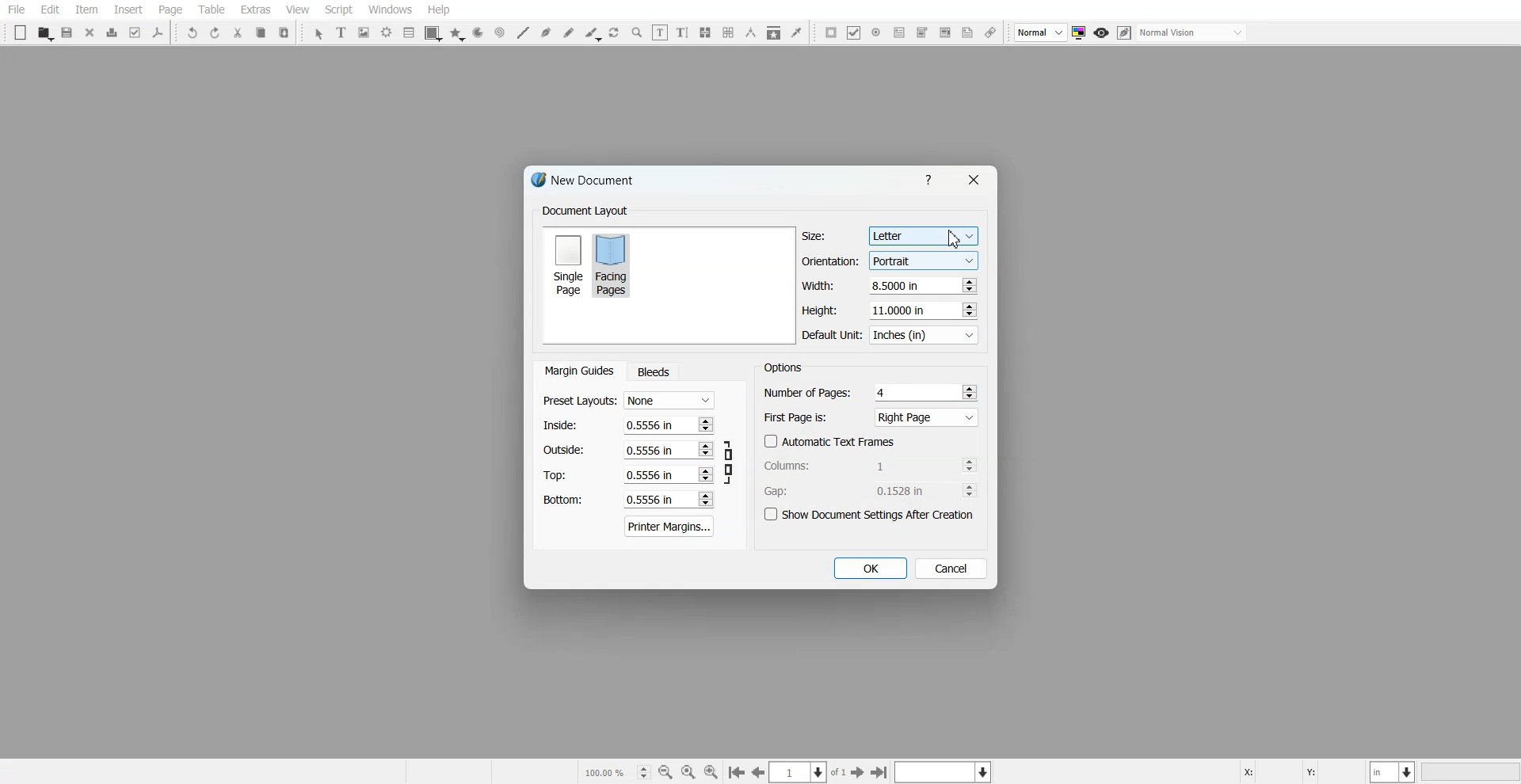 This screenshot has width=1521, height=784. What do you see at coordinates (871, 465) in the screenshot?
I see `Column adjuster` at bounding box center [871, 465].